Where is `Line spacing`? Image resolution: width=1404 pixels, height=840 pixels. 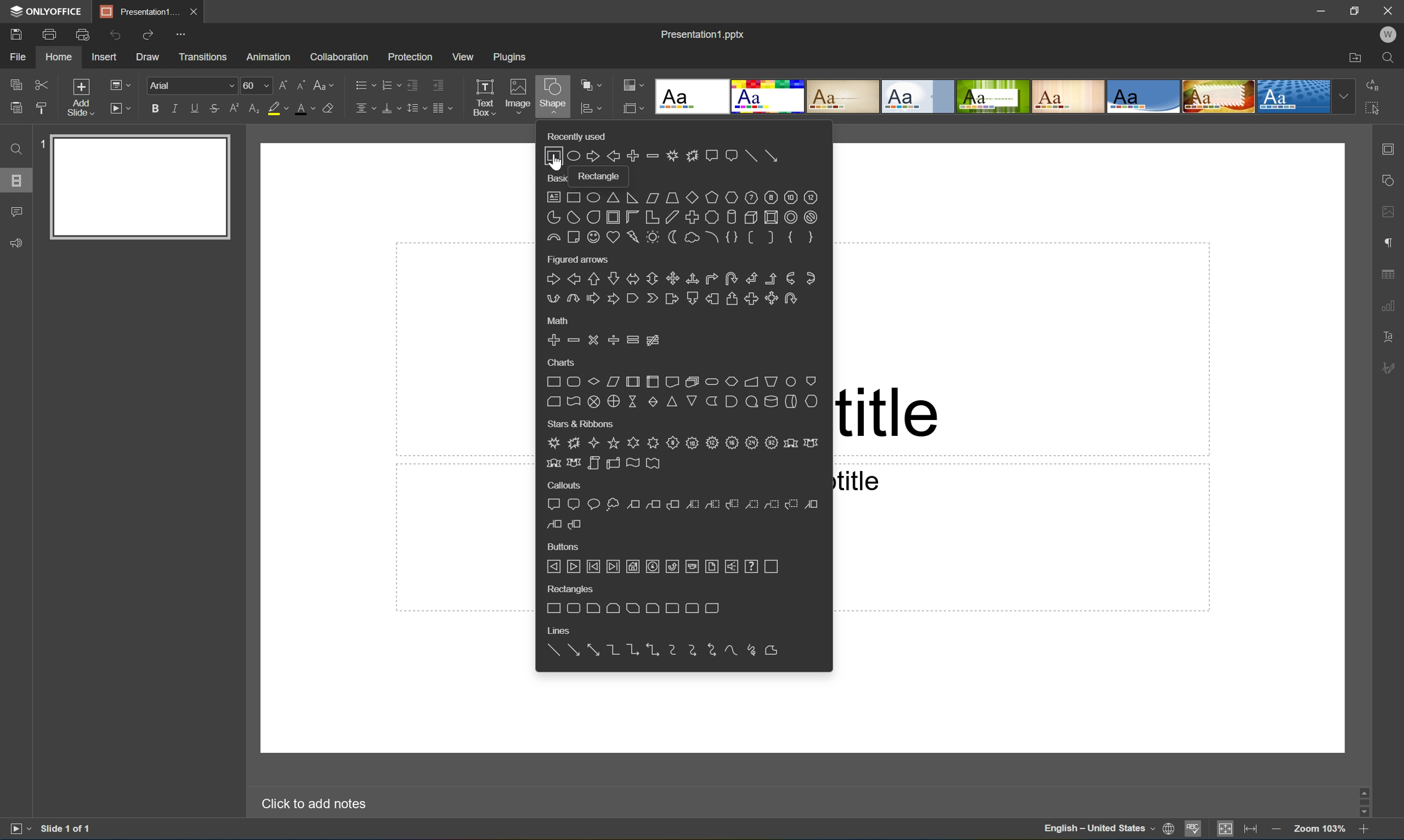 Line spacing is located at coordinates (415, 109).